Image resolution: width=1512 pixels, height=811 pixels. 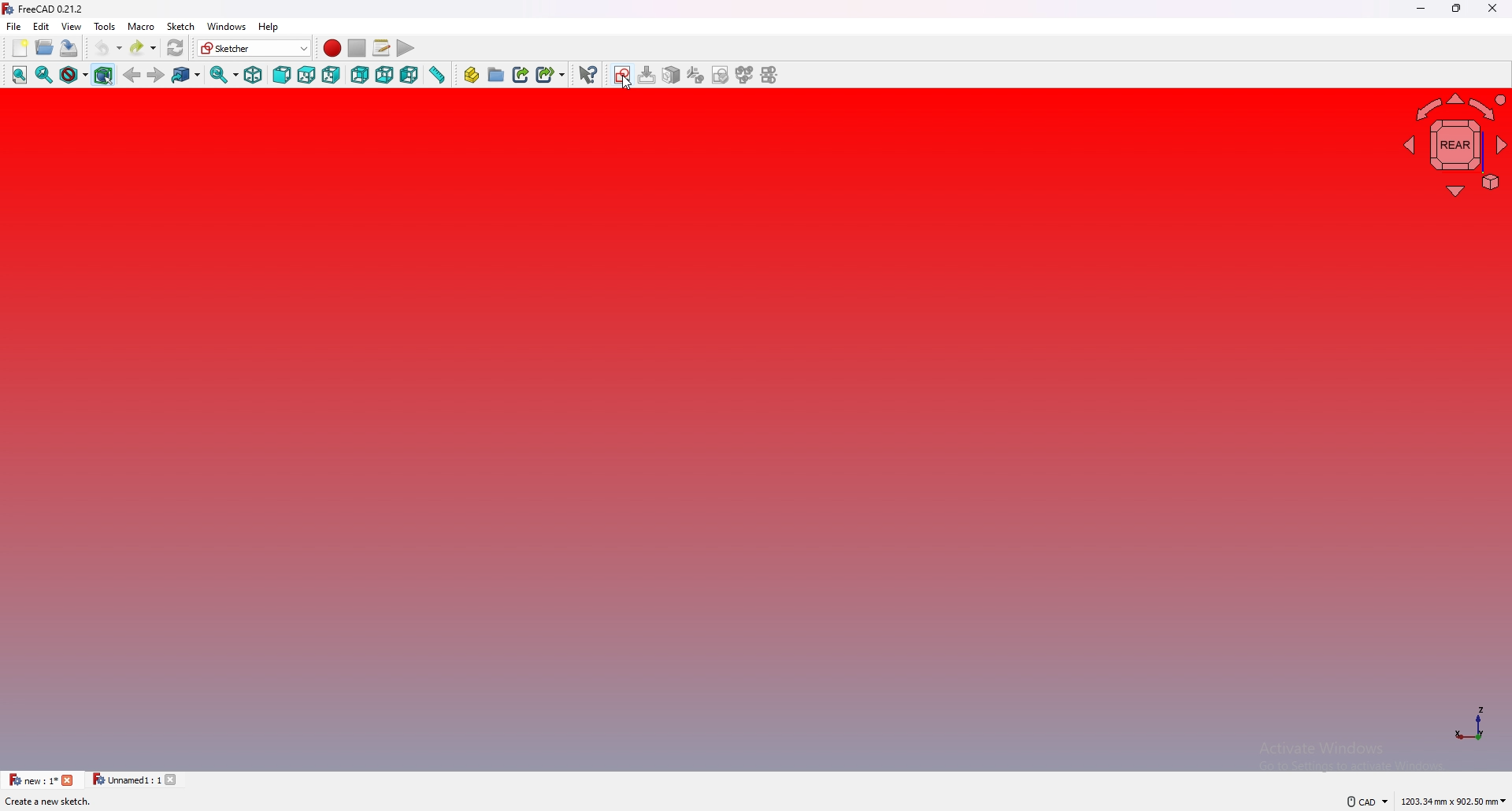 What do you see at coordinates (104, 73) in the screenshot?
I see `bounding object` at bounding box center [104, 73].